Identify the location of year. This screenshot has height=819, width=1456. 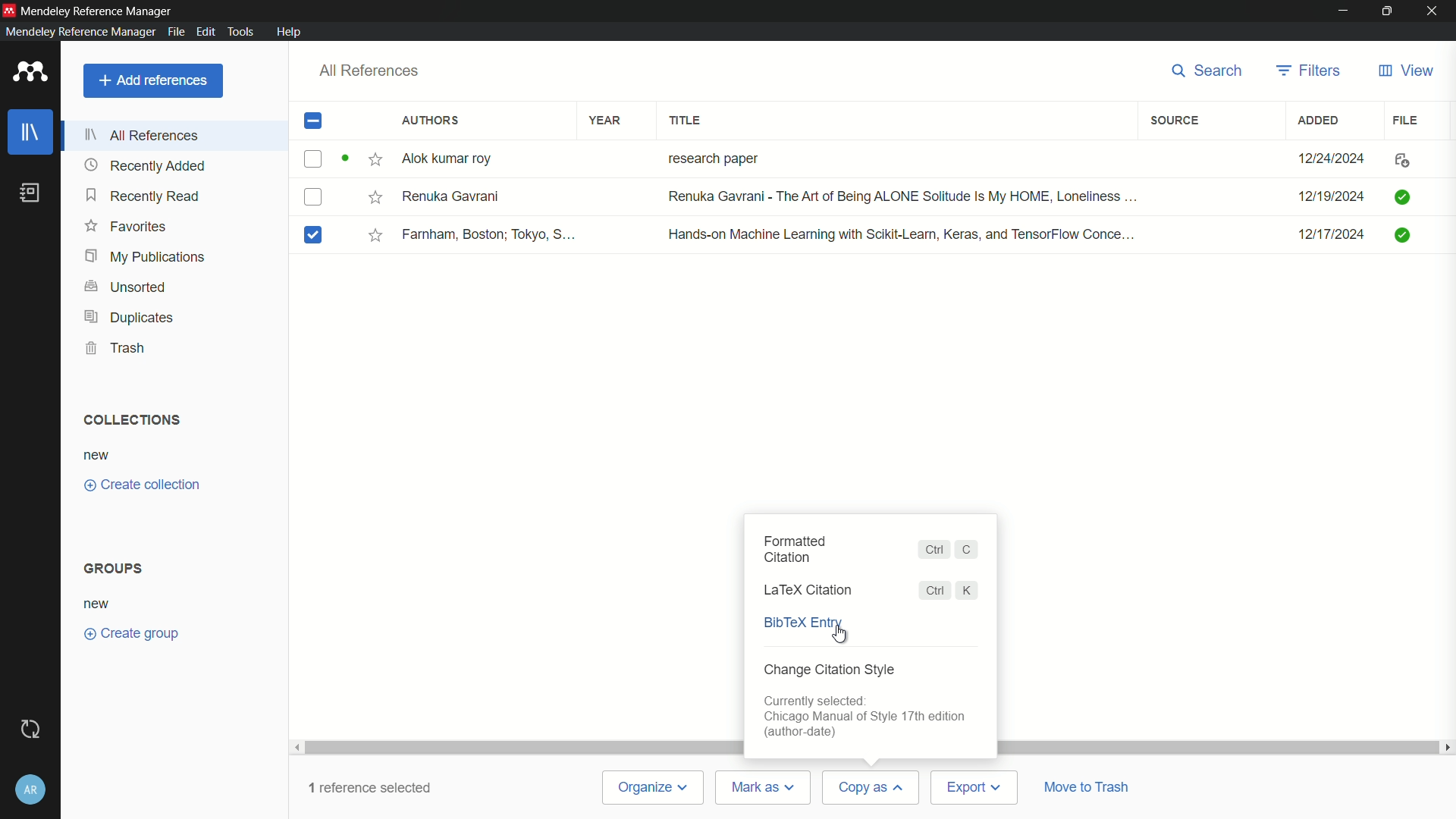
(606, 120).